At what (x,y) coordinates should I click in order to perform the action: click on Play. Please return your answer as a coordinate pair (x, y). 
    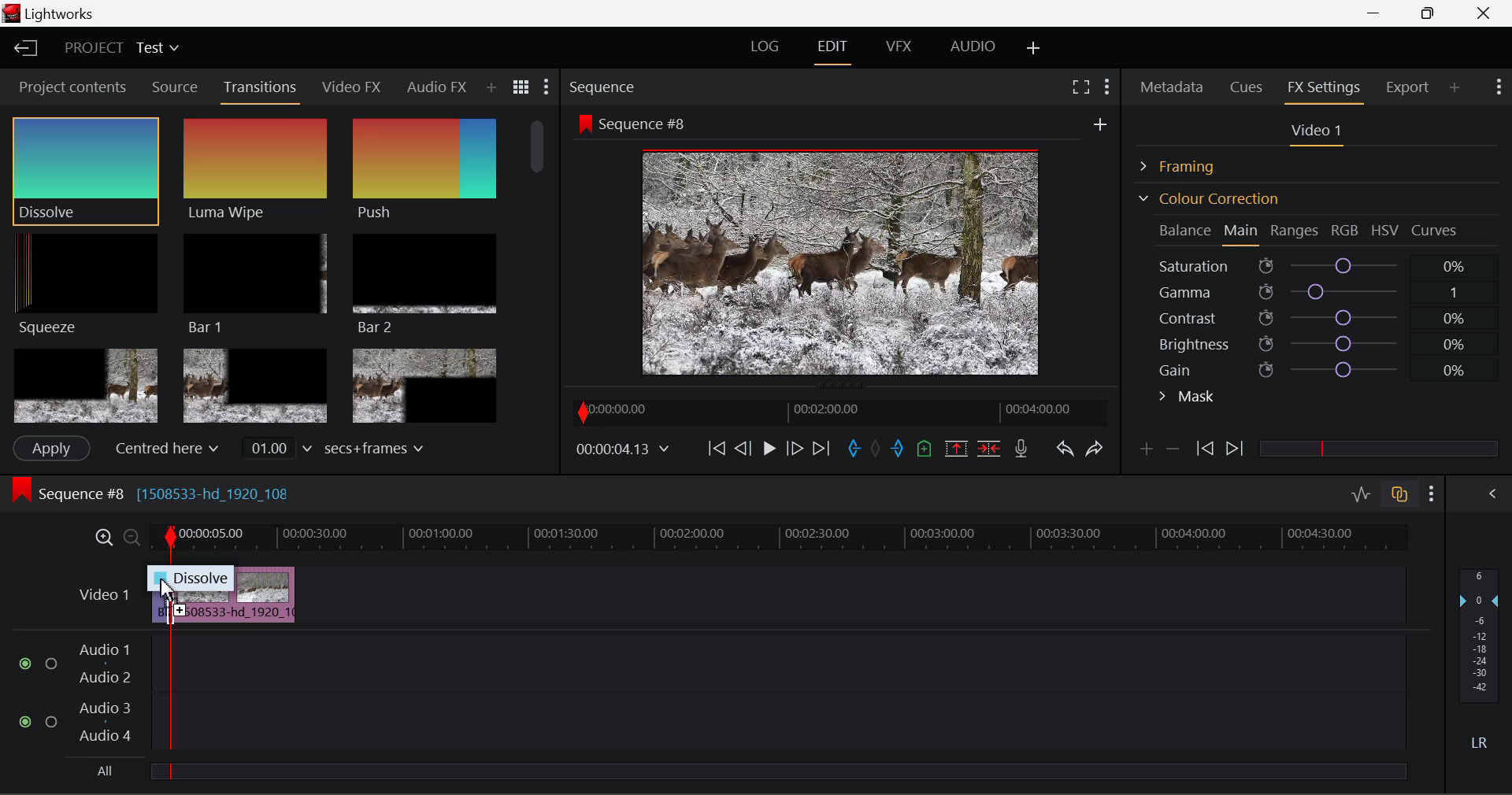
    Looking at the image, I should click on (767, 449).